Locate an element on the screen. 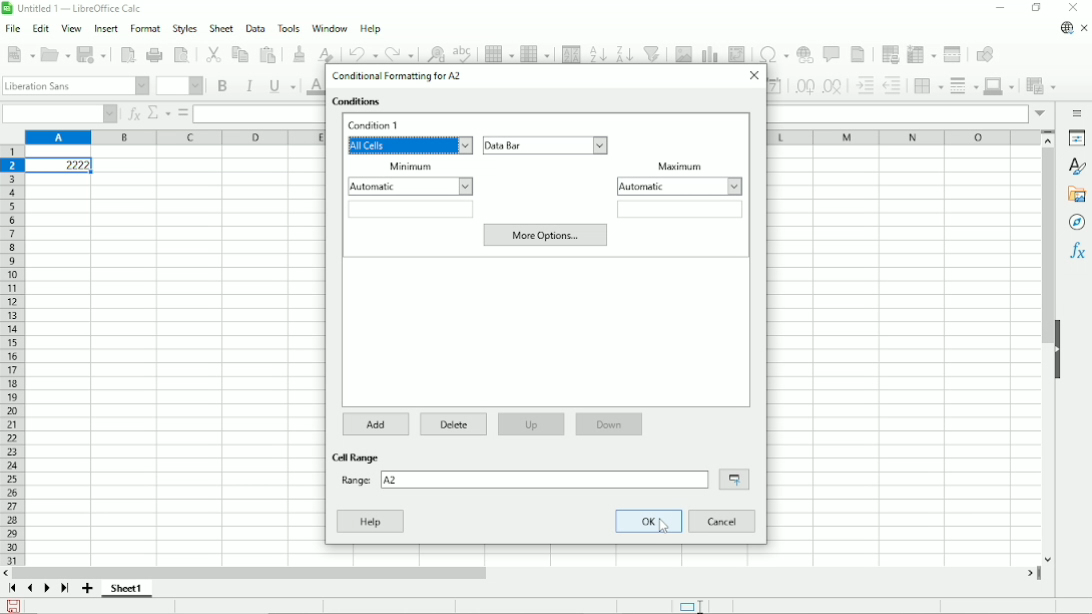 The width and height of the screenshot is (1092, 614). Border style is located at coordinates (963, 87).